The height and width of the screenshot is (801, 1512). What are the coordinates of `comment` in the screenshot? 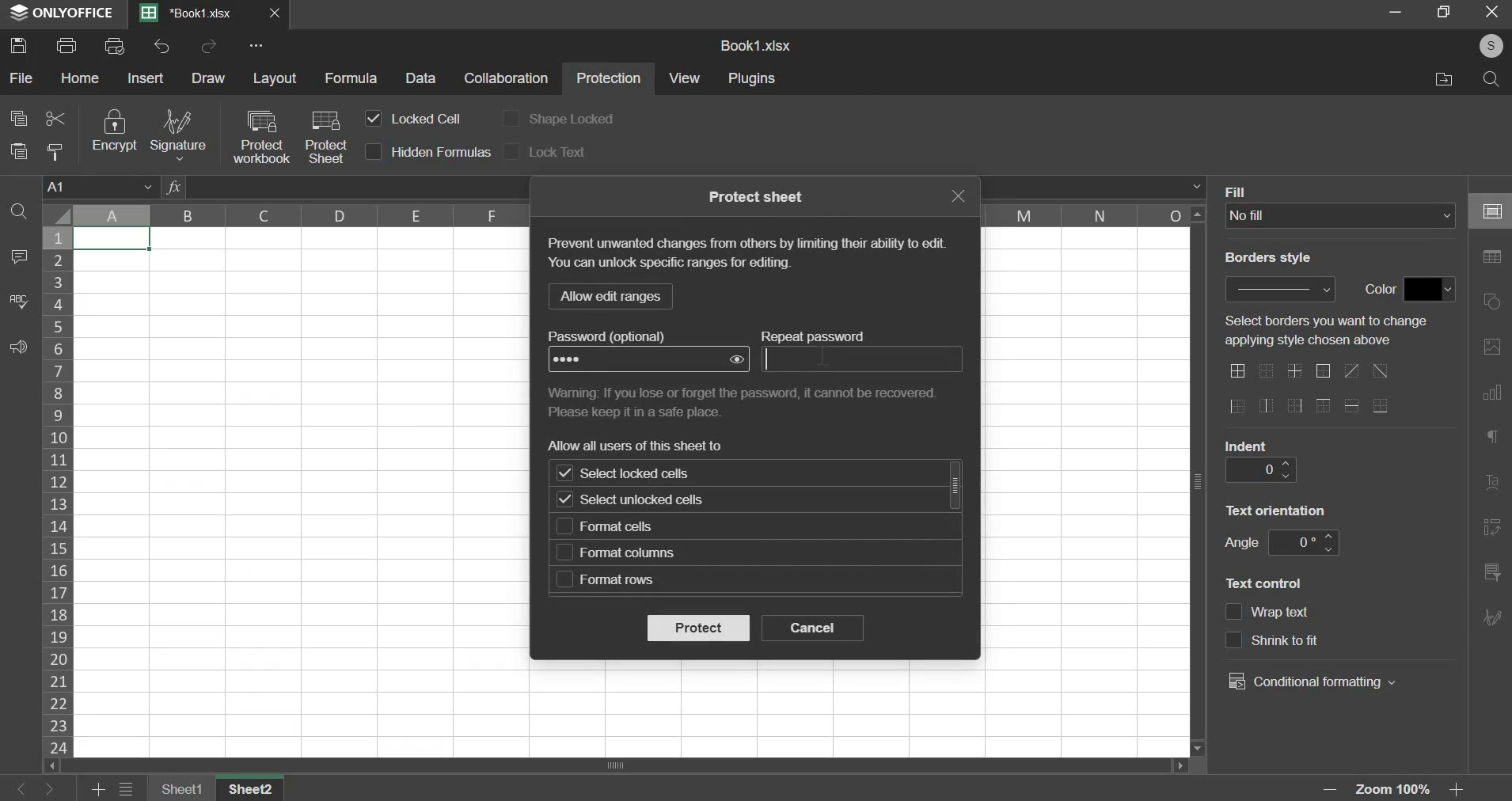 It's located at (16, 257).